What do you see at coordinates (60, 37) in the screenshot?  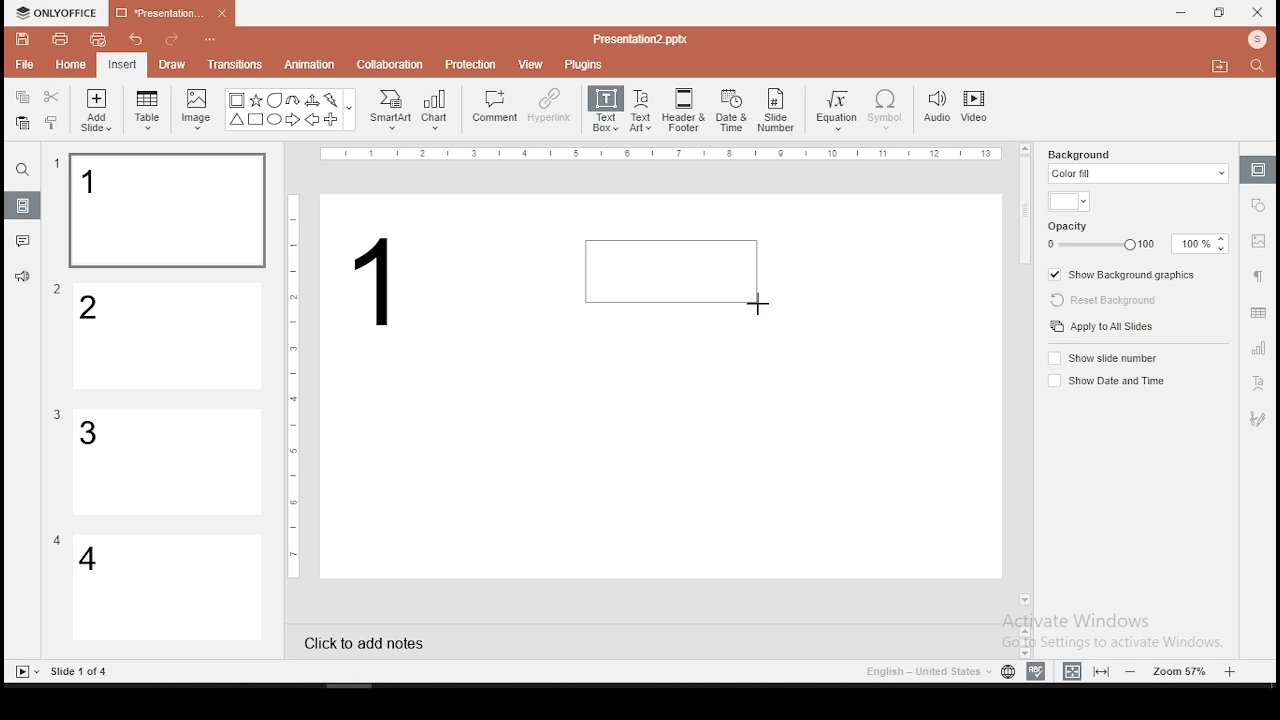 I see `print file` at bounding box center [60, 37].